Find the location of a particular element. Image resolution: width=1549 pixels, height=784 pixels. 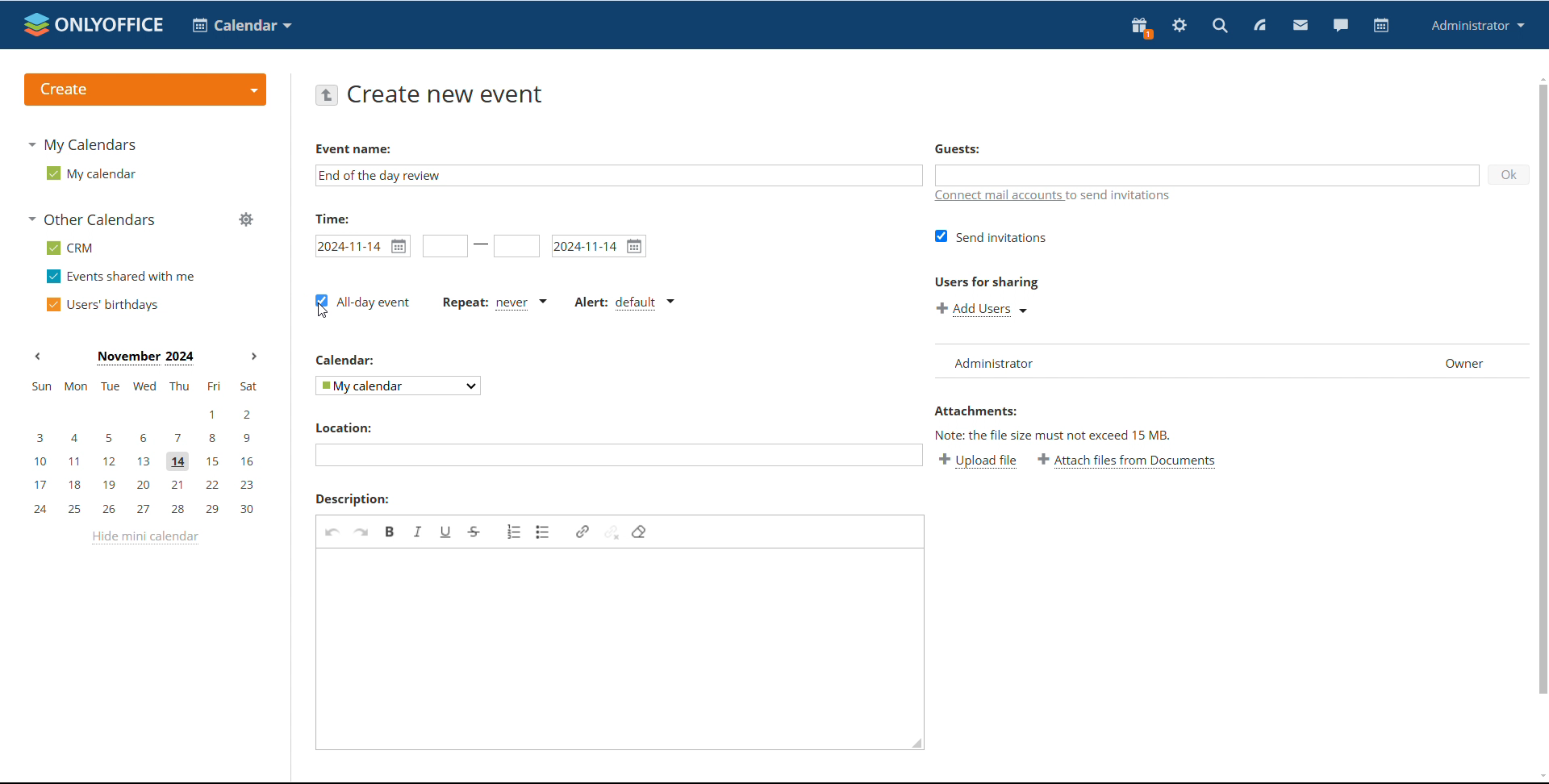

alert type is located at coordinates (624, 303).